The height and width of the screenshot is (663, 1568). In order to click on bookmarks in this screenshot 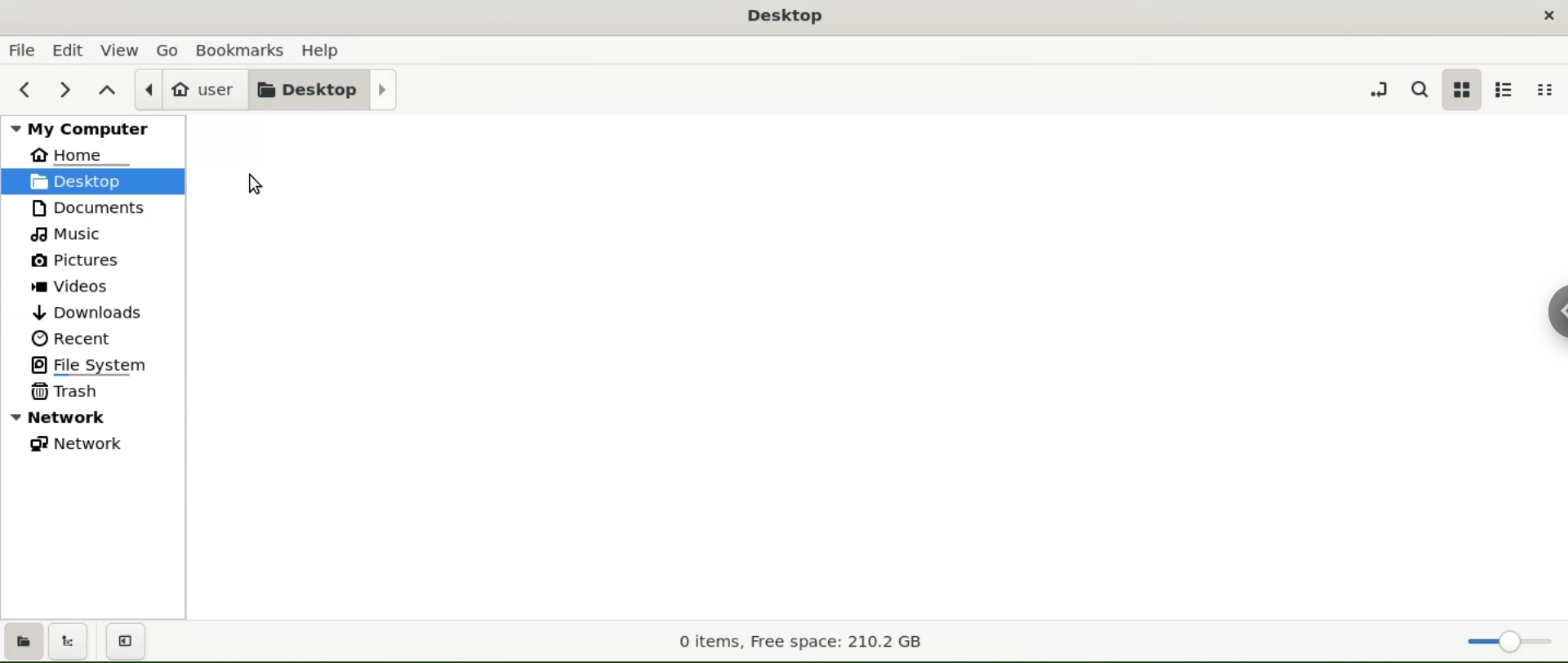, I will do `click(243, 49)`.